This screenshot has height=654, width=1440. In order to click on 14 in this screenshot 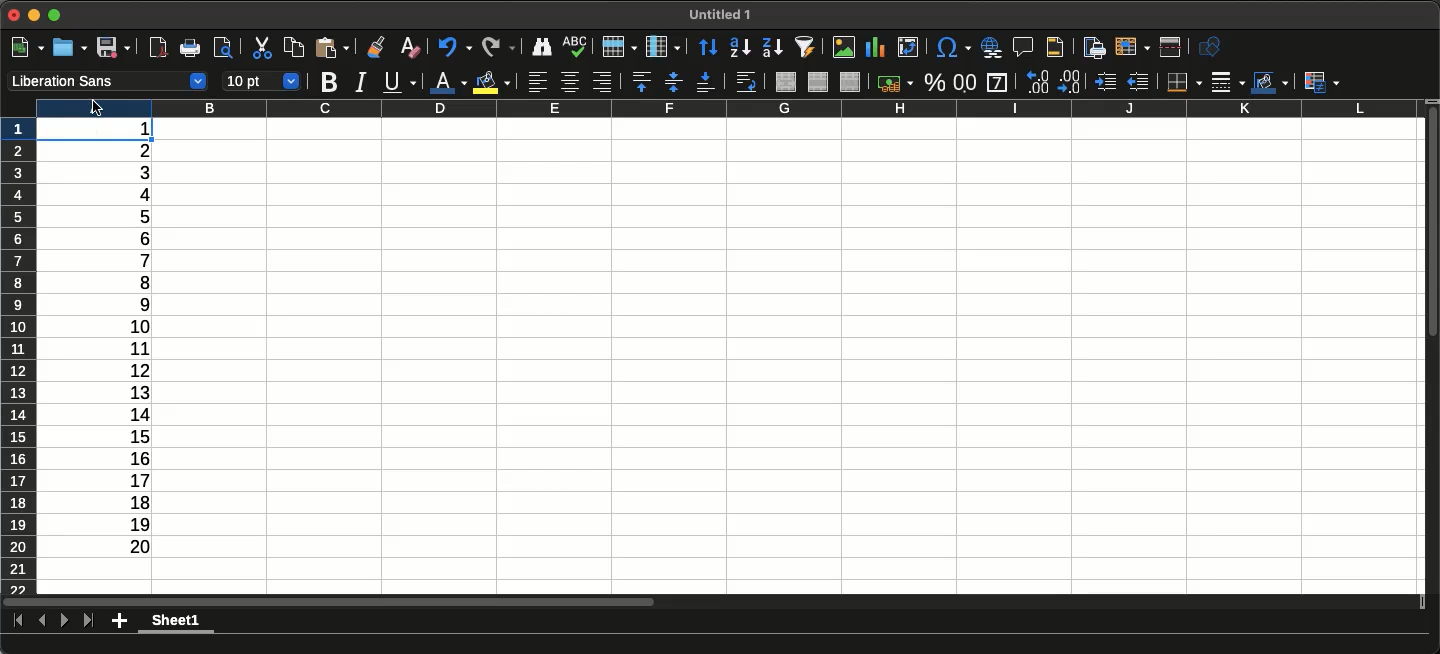, I will do `click(130, 412)`.